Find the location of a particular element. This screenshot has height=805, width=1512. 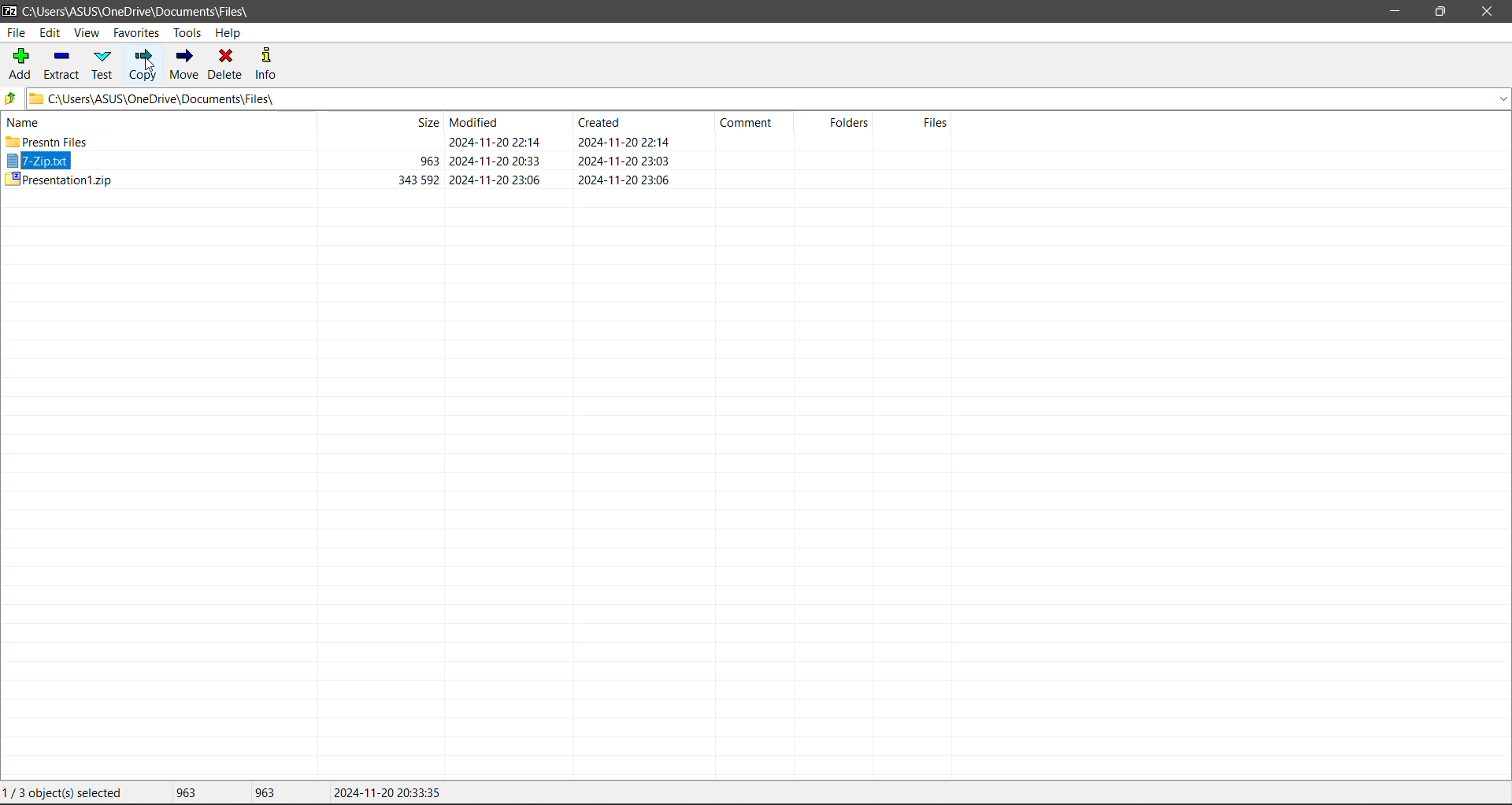

Edit is located at coordinates (53, 33).